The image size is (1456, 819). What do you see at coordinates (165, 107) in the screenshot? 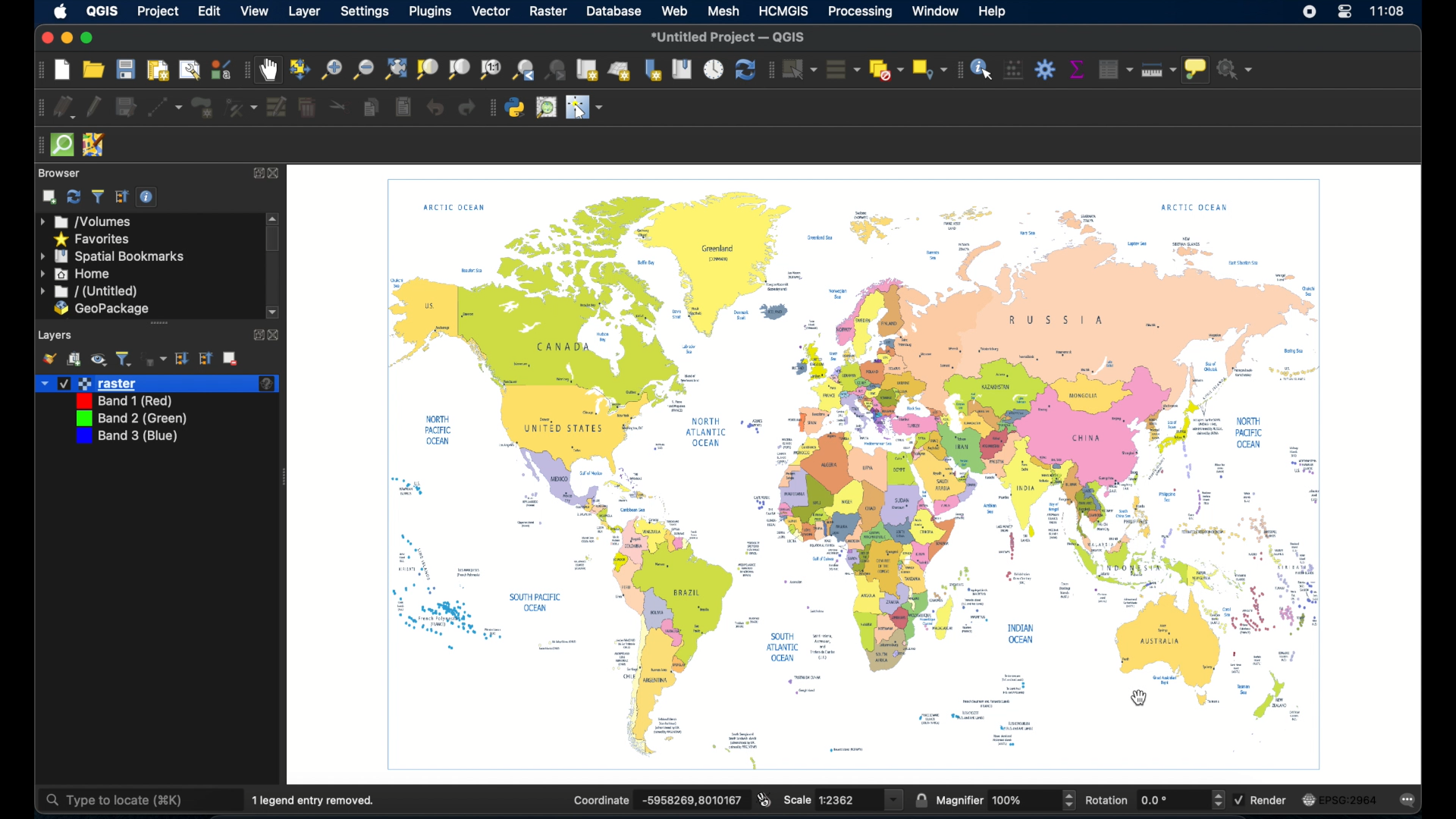
I see `digitize with segment` at bounding box center [165, 107].